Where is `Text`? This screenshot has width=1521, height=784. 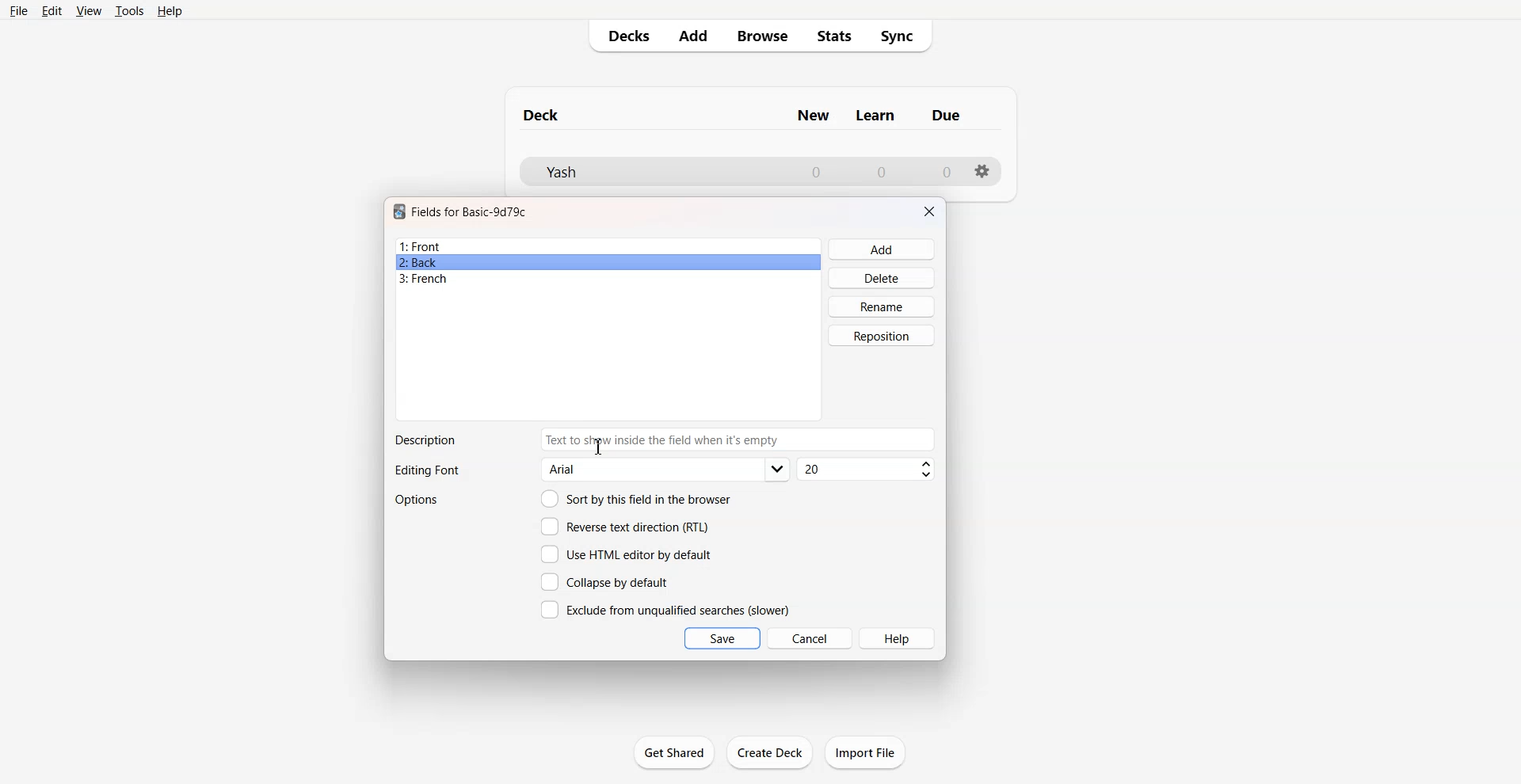
Text is located at coordinates (426, 471).